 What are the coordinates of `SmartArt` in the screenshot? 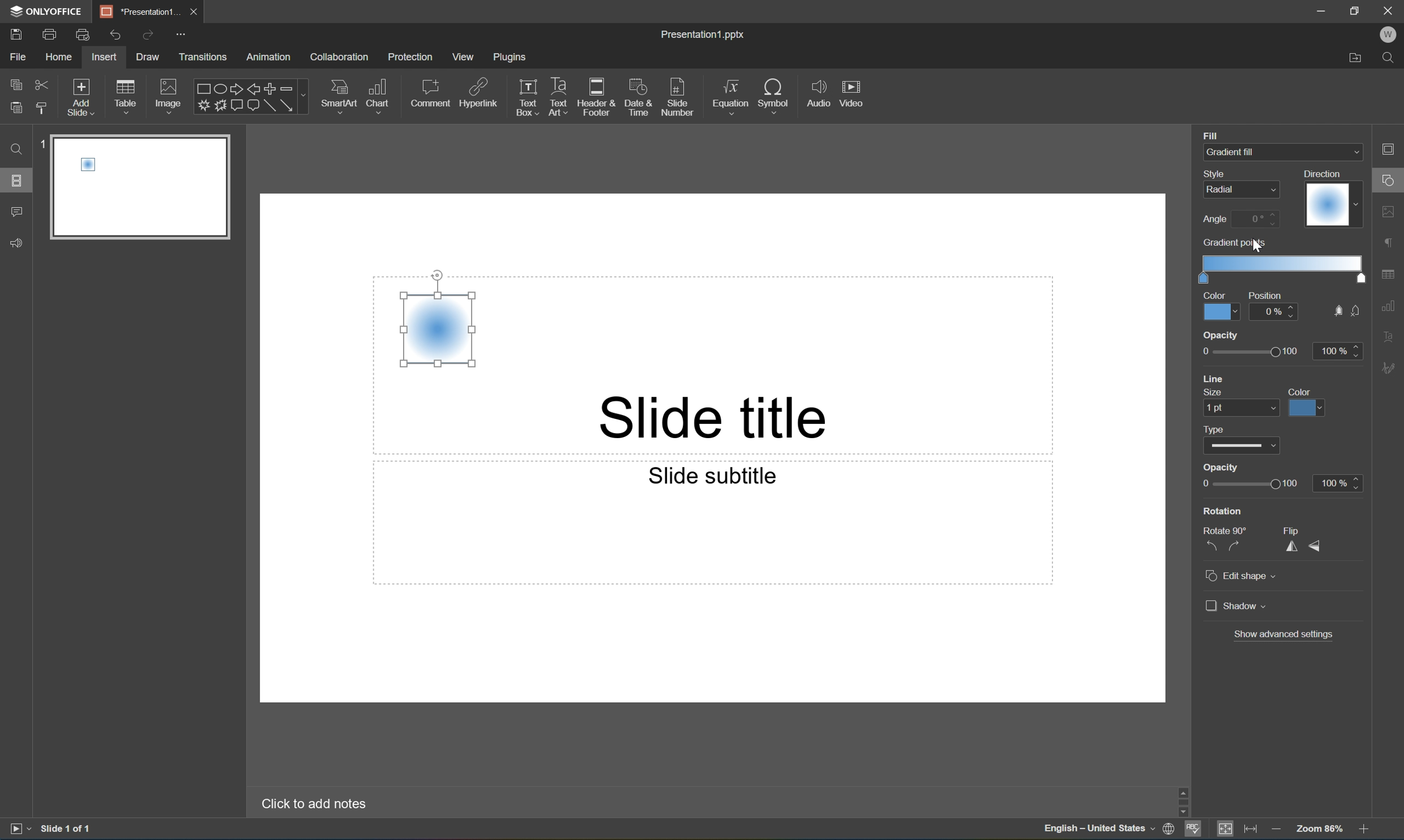 It's located at (338, 94).